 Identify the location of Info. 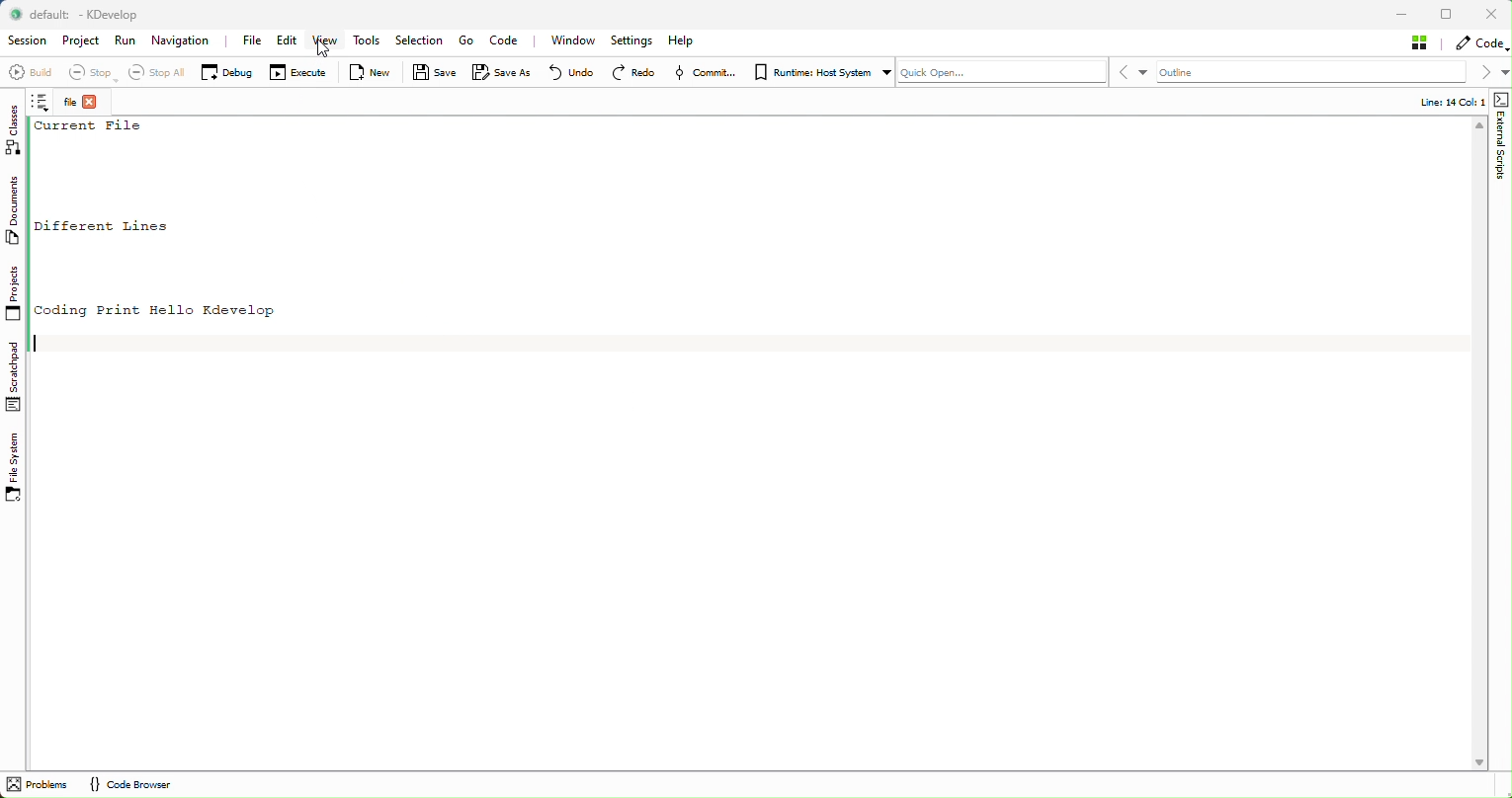
(1443, 102).